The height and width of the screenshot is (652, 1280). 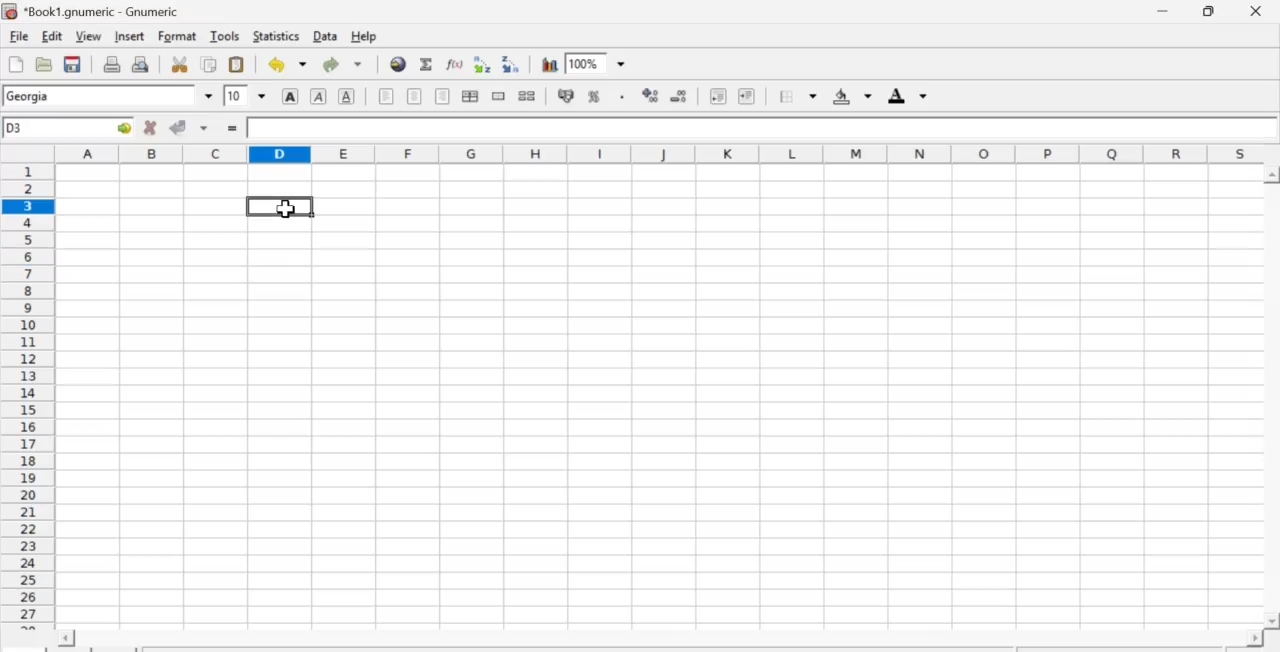 What do you see at coordinates (1272, 175) in the screenshot?
I see `scroll up` at bounding box center [1272, 175].